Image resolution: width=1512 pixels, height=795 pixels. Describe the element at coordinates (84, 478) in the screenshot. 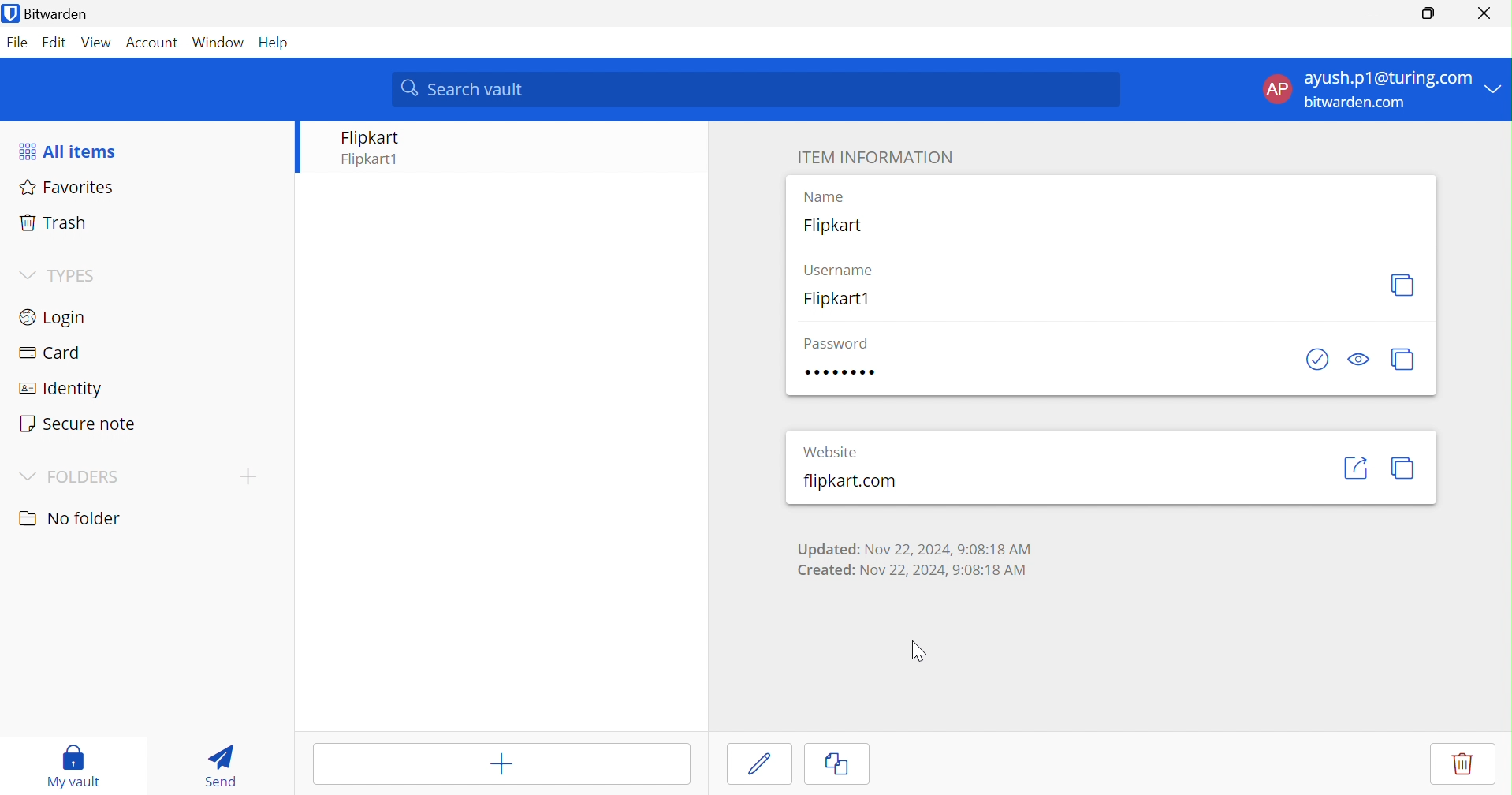

I see `FOLDERS` at that location.